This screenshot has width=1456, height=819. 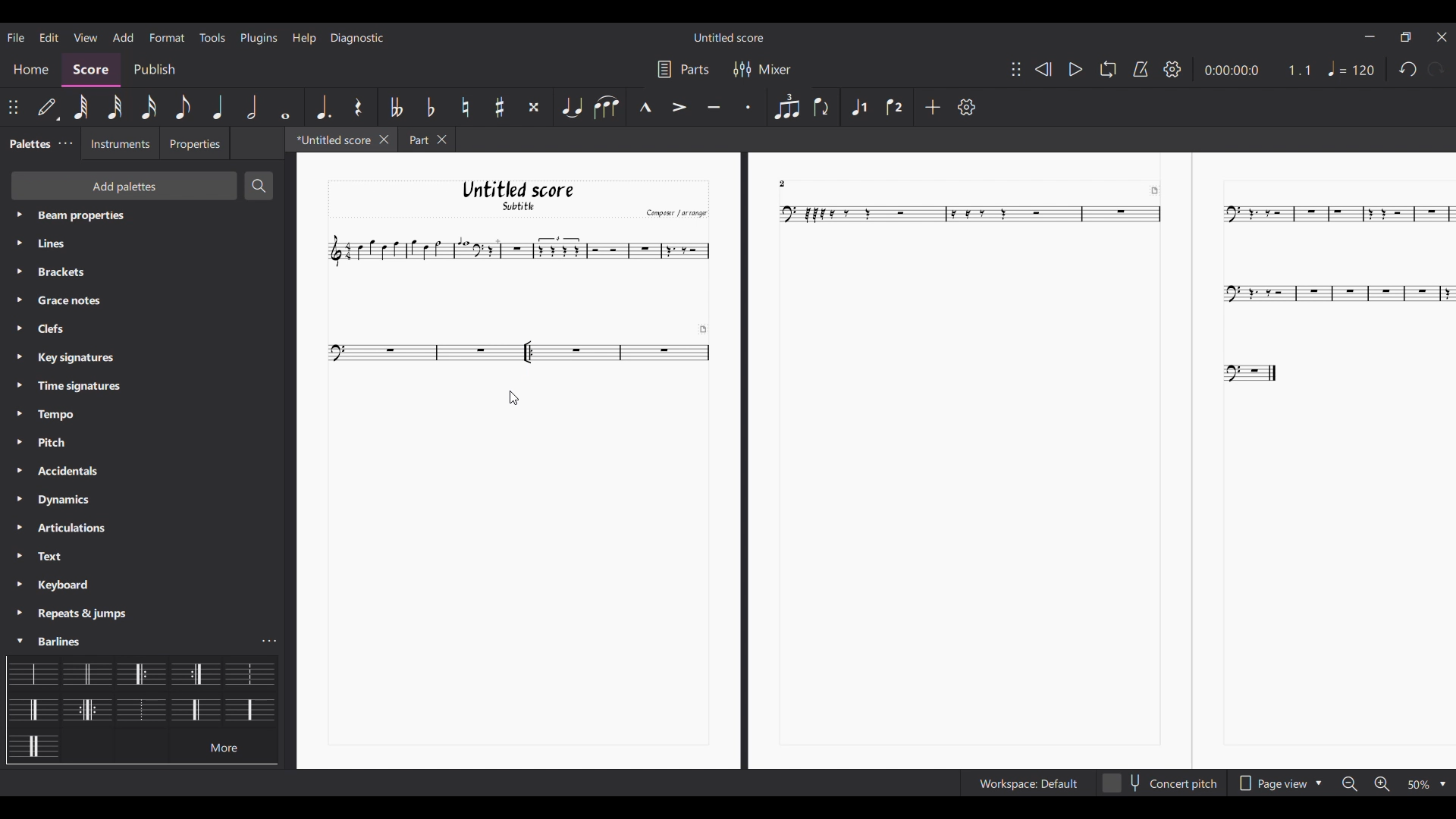 What do you see at coordinates (65, 388) in the screenshot?
I see `Palette settings` at bounding box center [65, 388].